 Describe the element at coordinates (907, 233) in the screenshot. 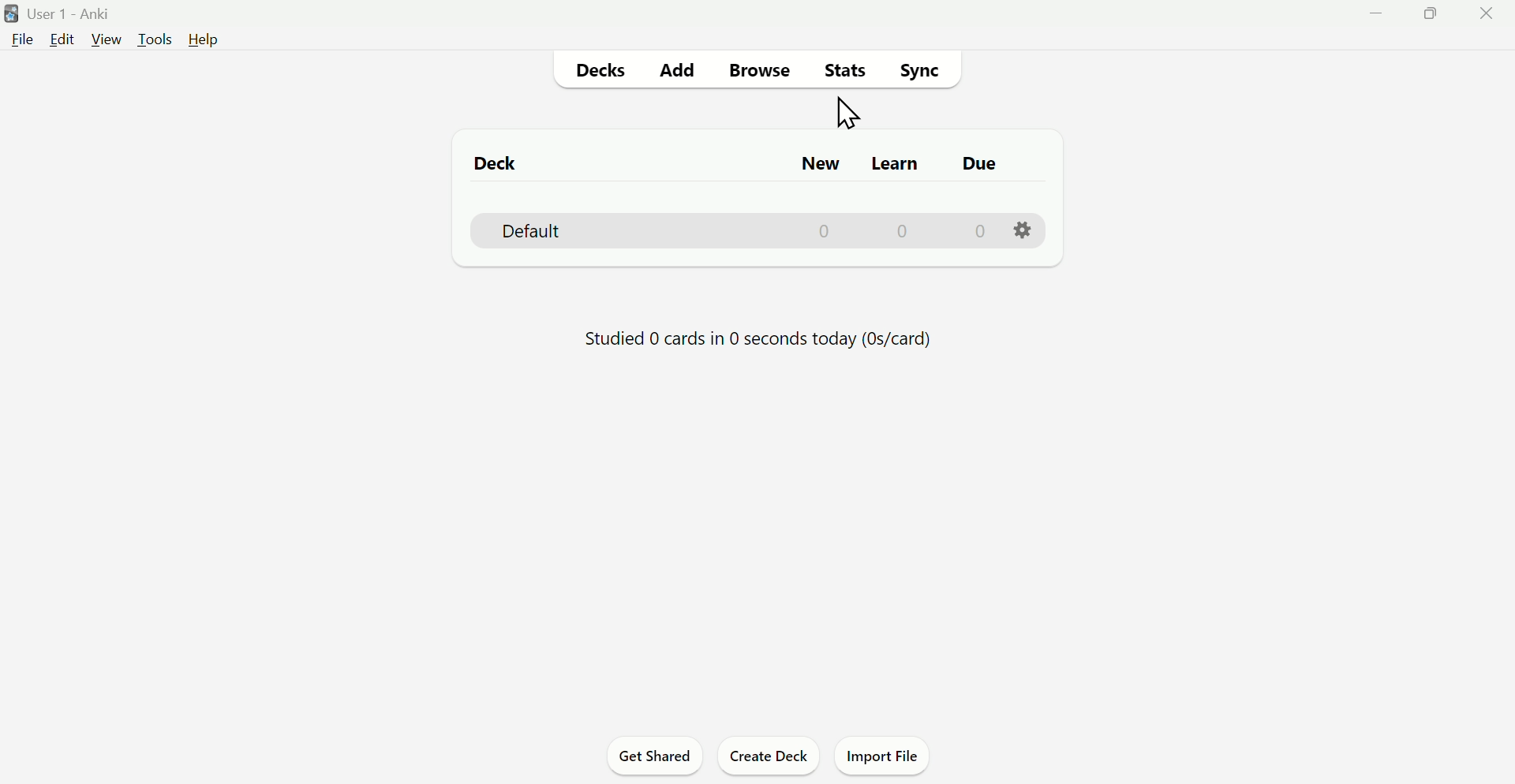

I see `0` at that location.